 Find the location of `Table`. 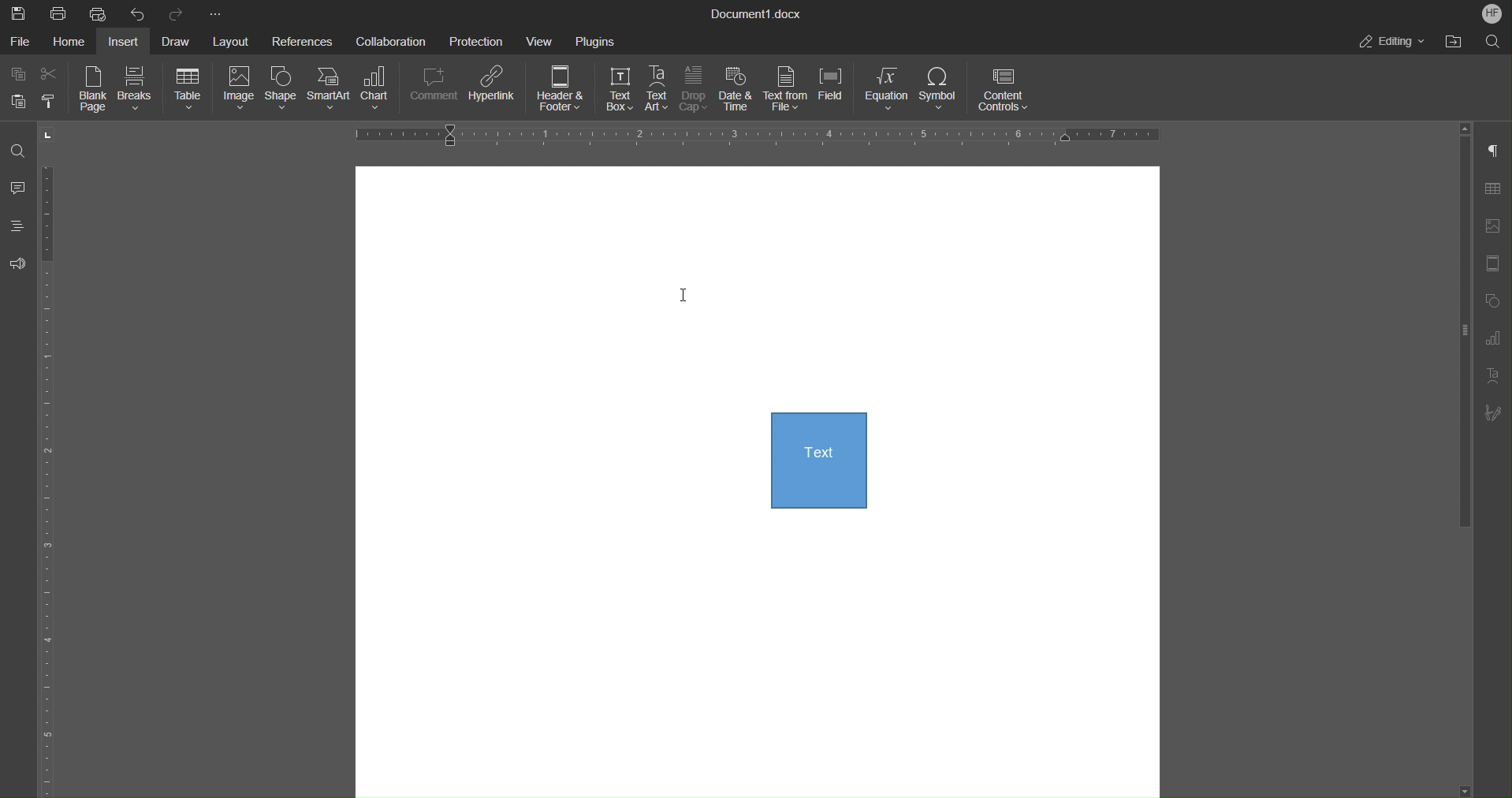

Table is located at coordinates (188, 90).